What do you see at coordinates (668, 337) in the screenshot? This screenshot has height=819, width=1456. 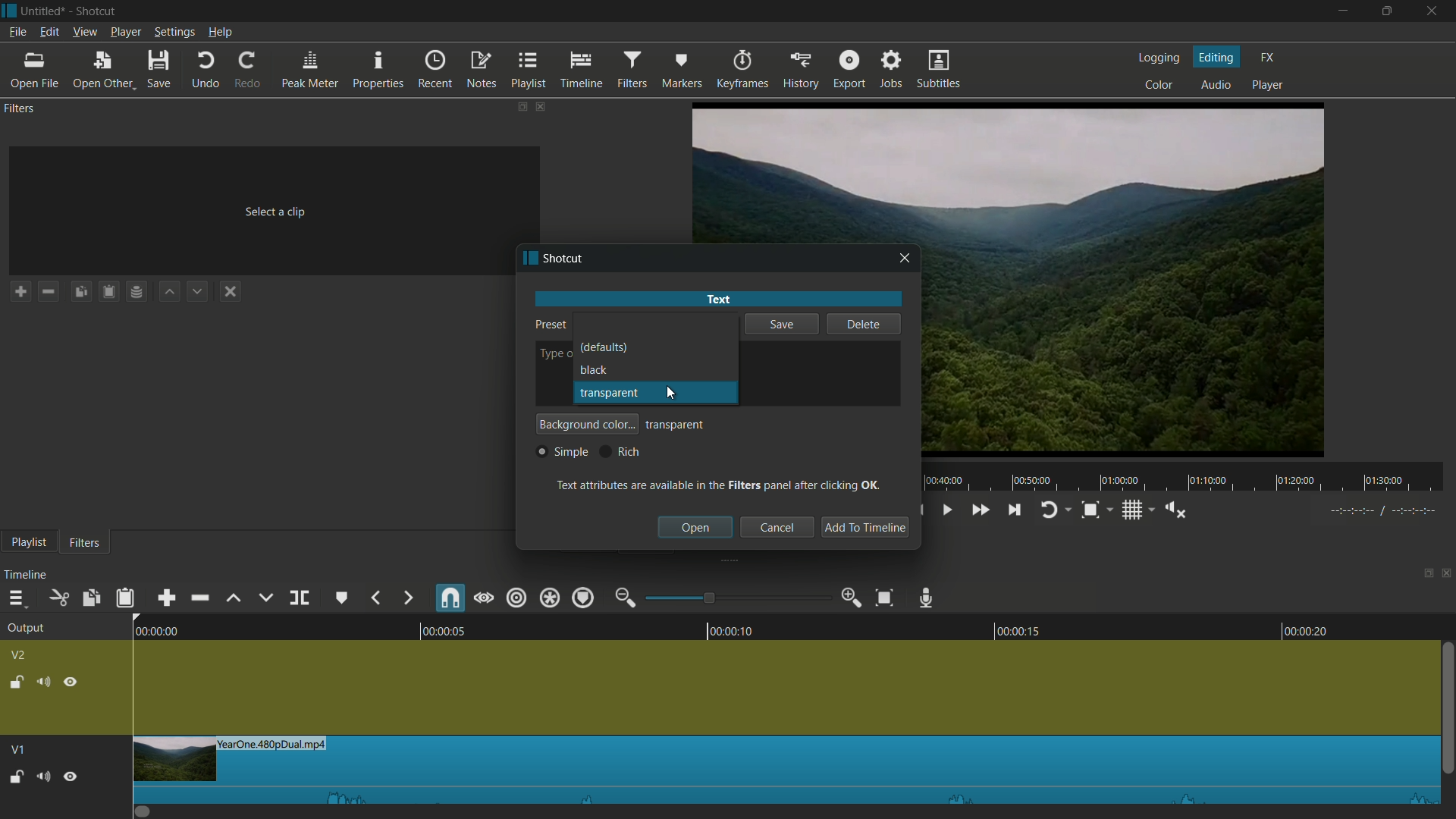 I see `cursor` at bounding box center [668, 337].